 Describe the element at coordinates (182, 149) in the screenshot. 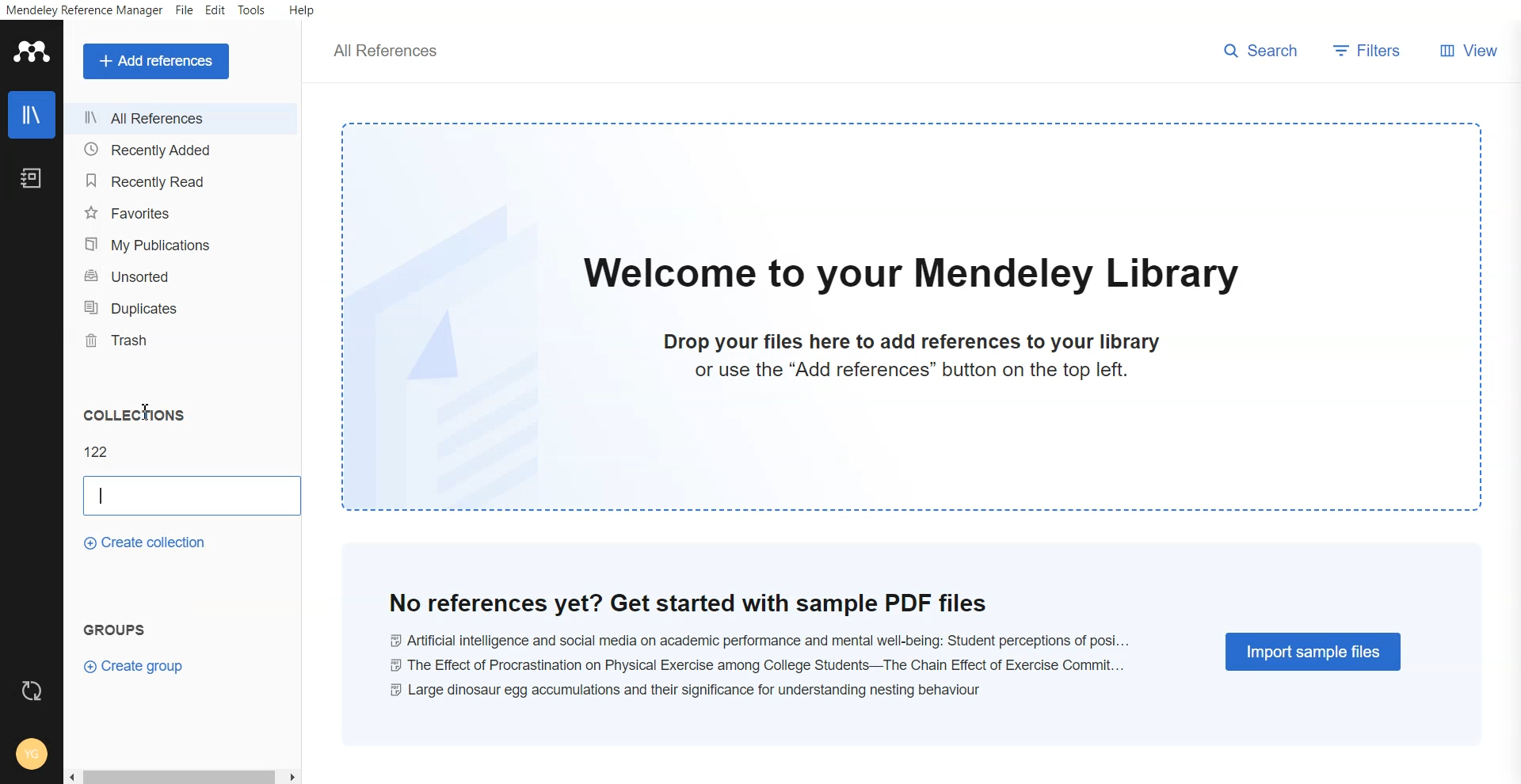

I see `Recently added` at that location.